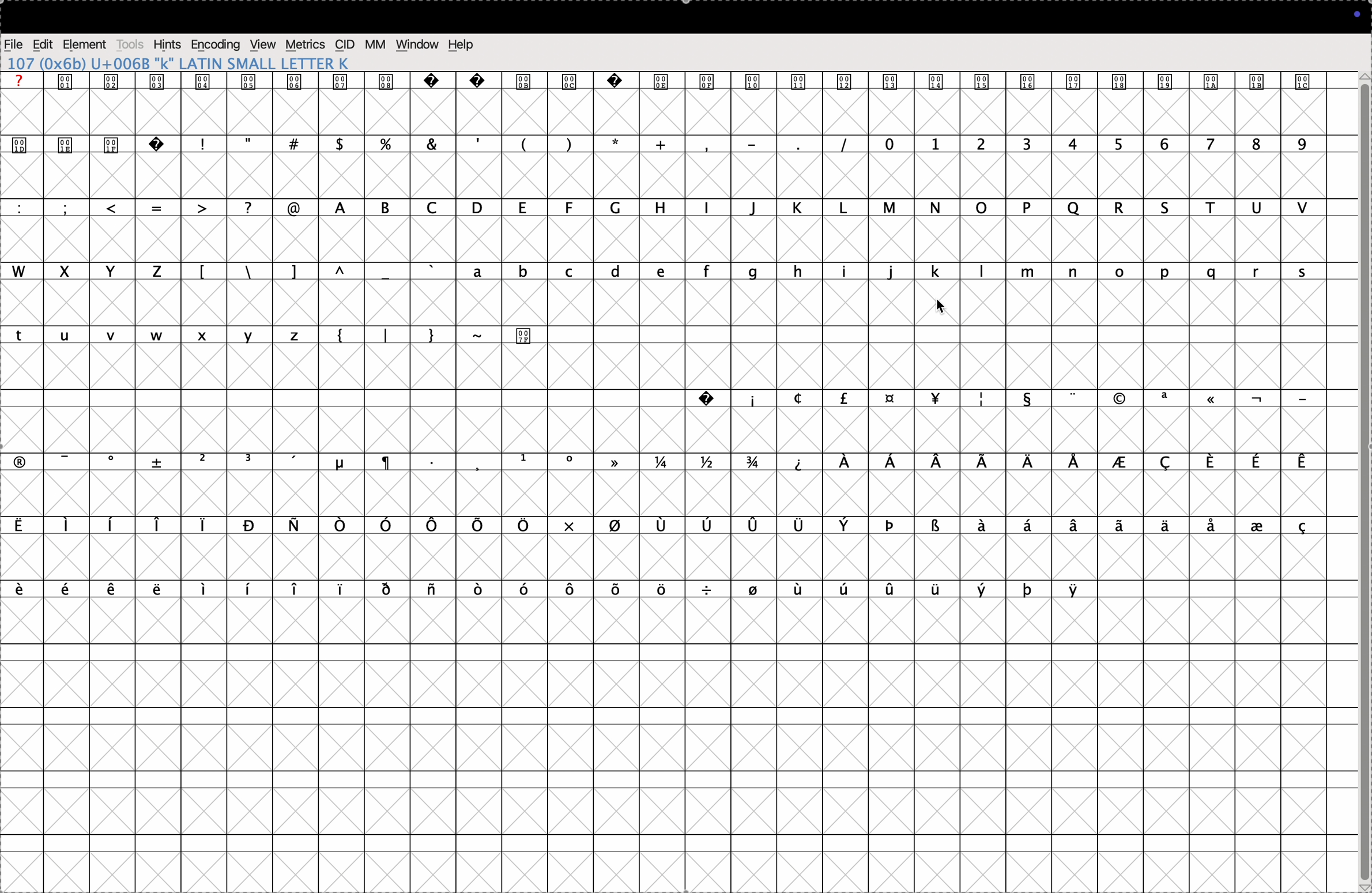 This screenshot has width=1372, height=893. Describe the element at coordinates (891, 272) in the screenshot. I see `j` at that location.